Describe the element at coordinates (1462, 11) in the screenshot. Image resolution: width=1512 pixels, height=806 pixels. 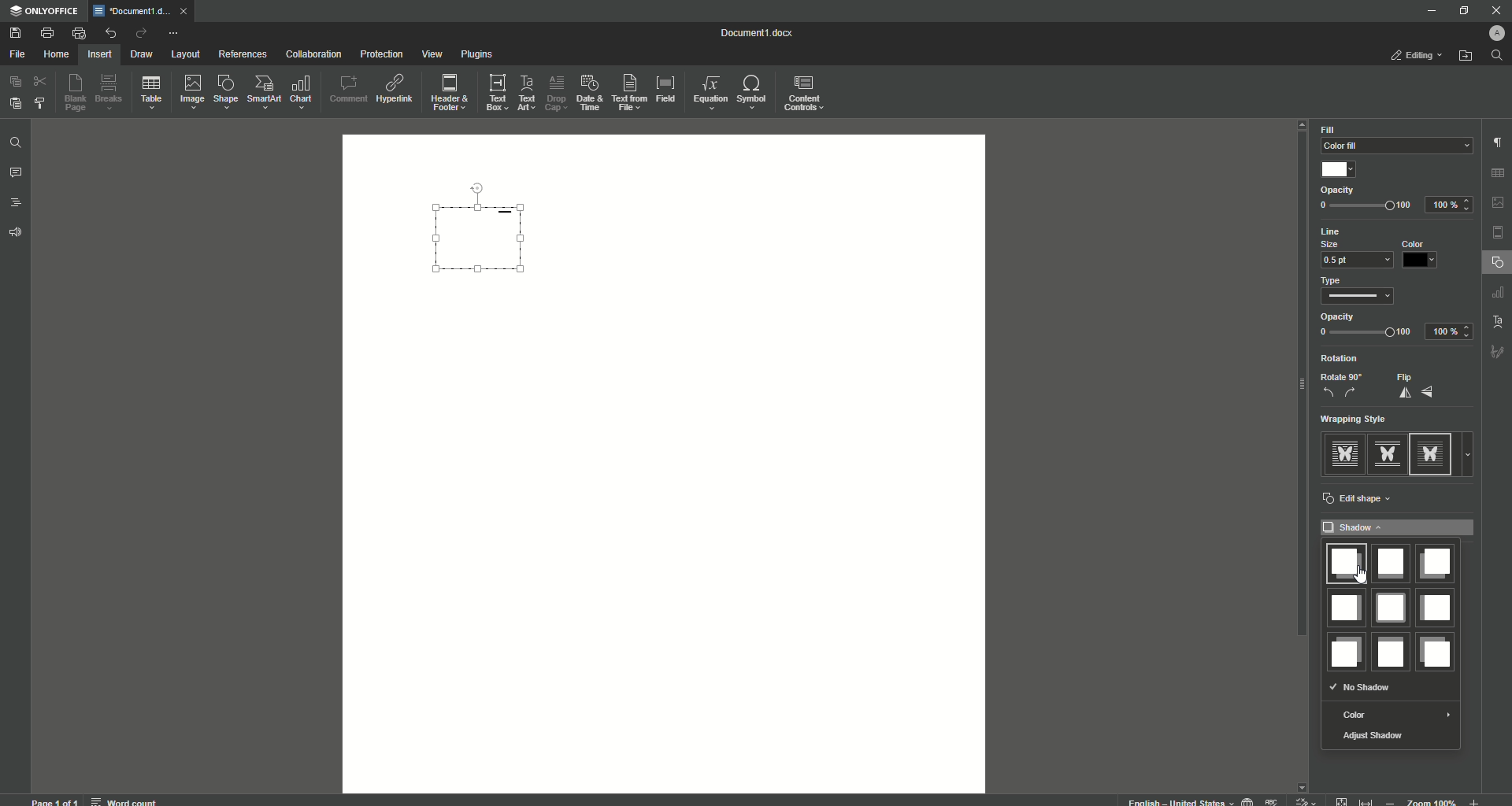
I see `Restore` at that location.